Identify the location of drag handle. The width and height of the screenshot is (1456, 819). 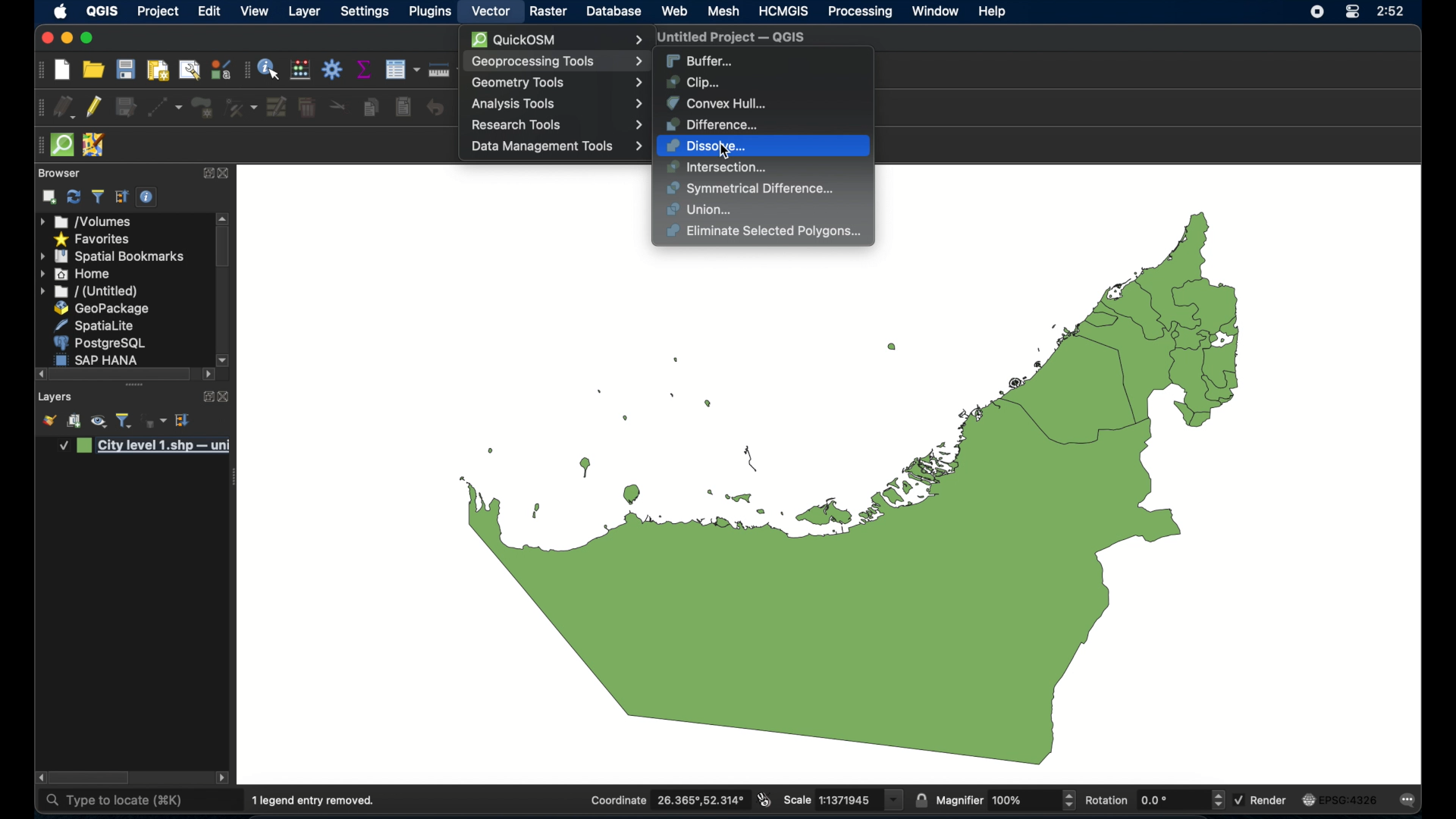
(133, 385).